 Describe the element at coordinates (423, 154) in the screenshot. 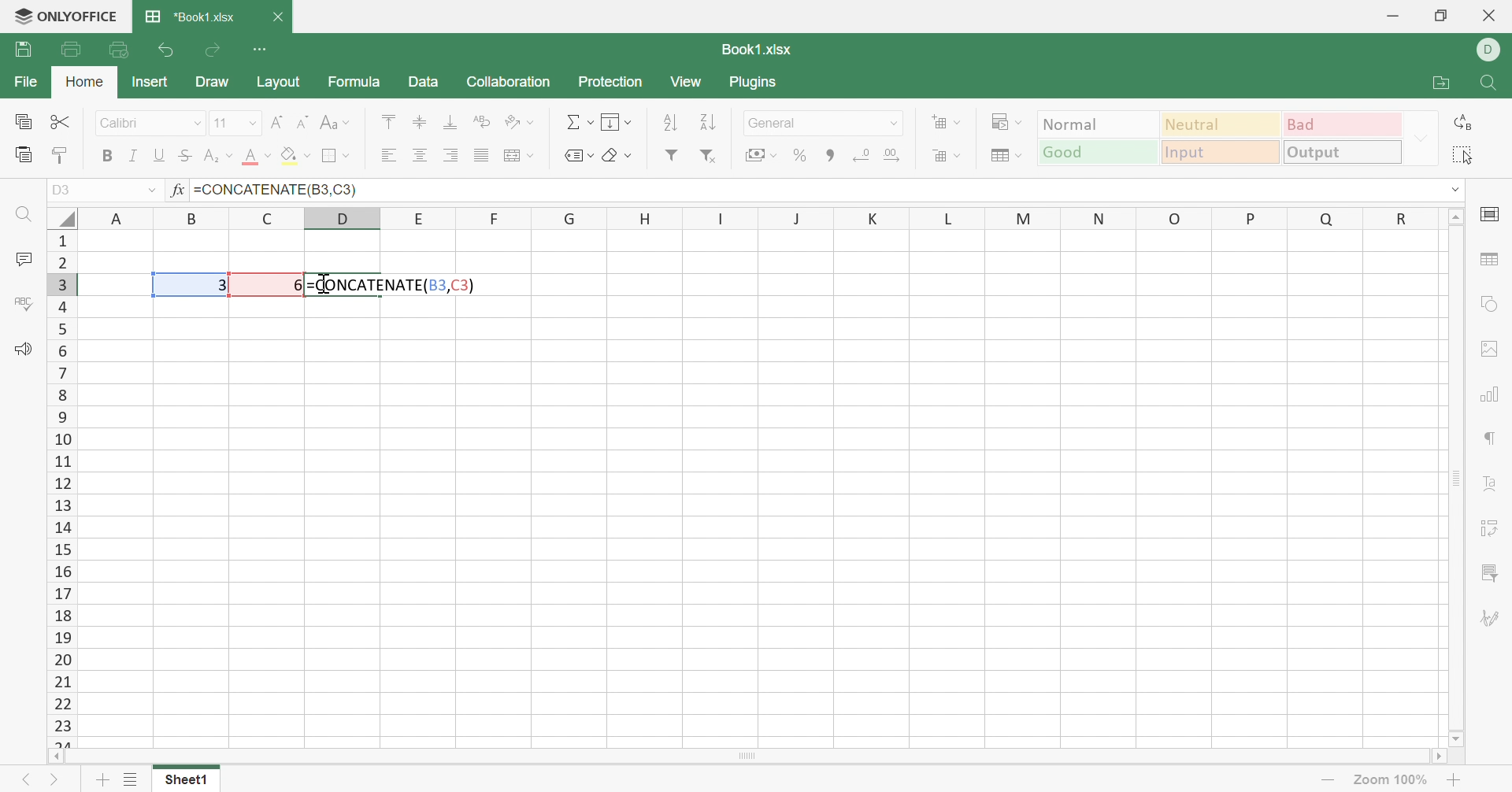

I see `Align center` at that location.